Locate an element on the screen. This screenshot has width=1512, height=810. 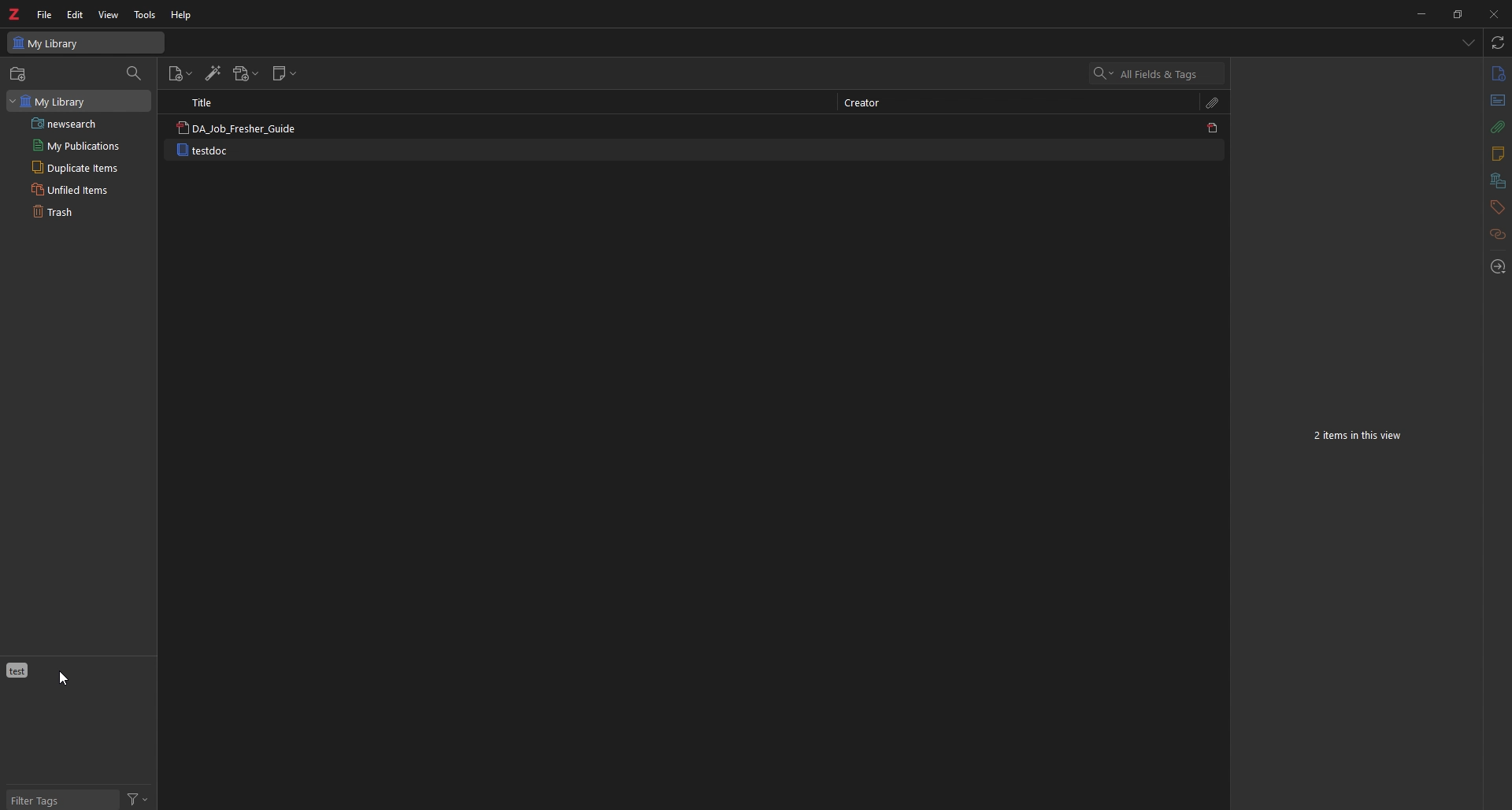
list all items is located at coordinates (1468, 42).